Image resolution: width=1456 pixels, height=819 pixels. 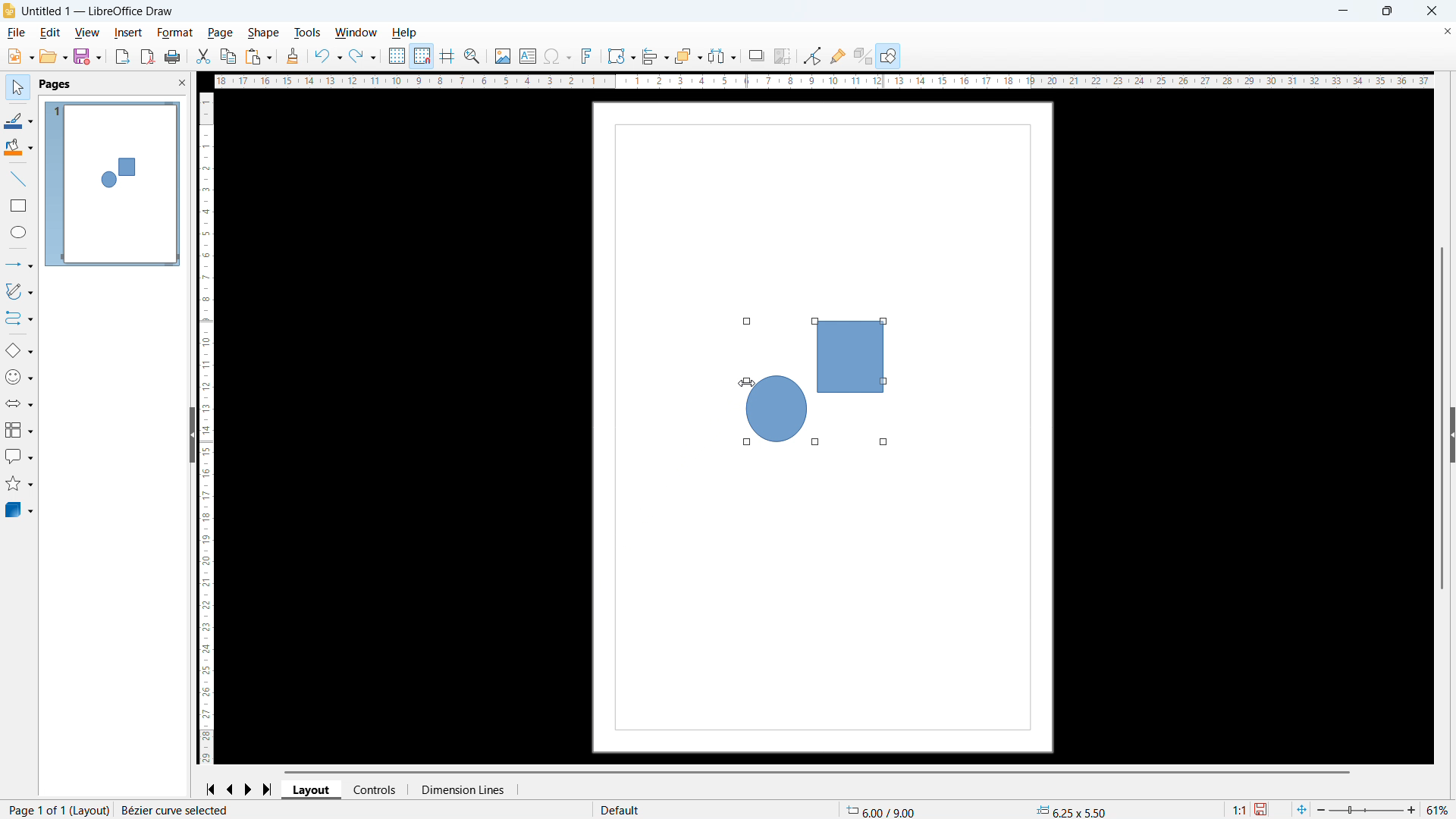 I want to click on redo , so click(x=363, y=56).